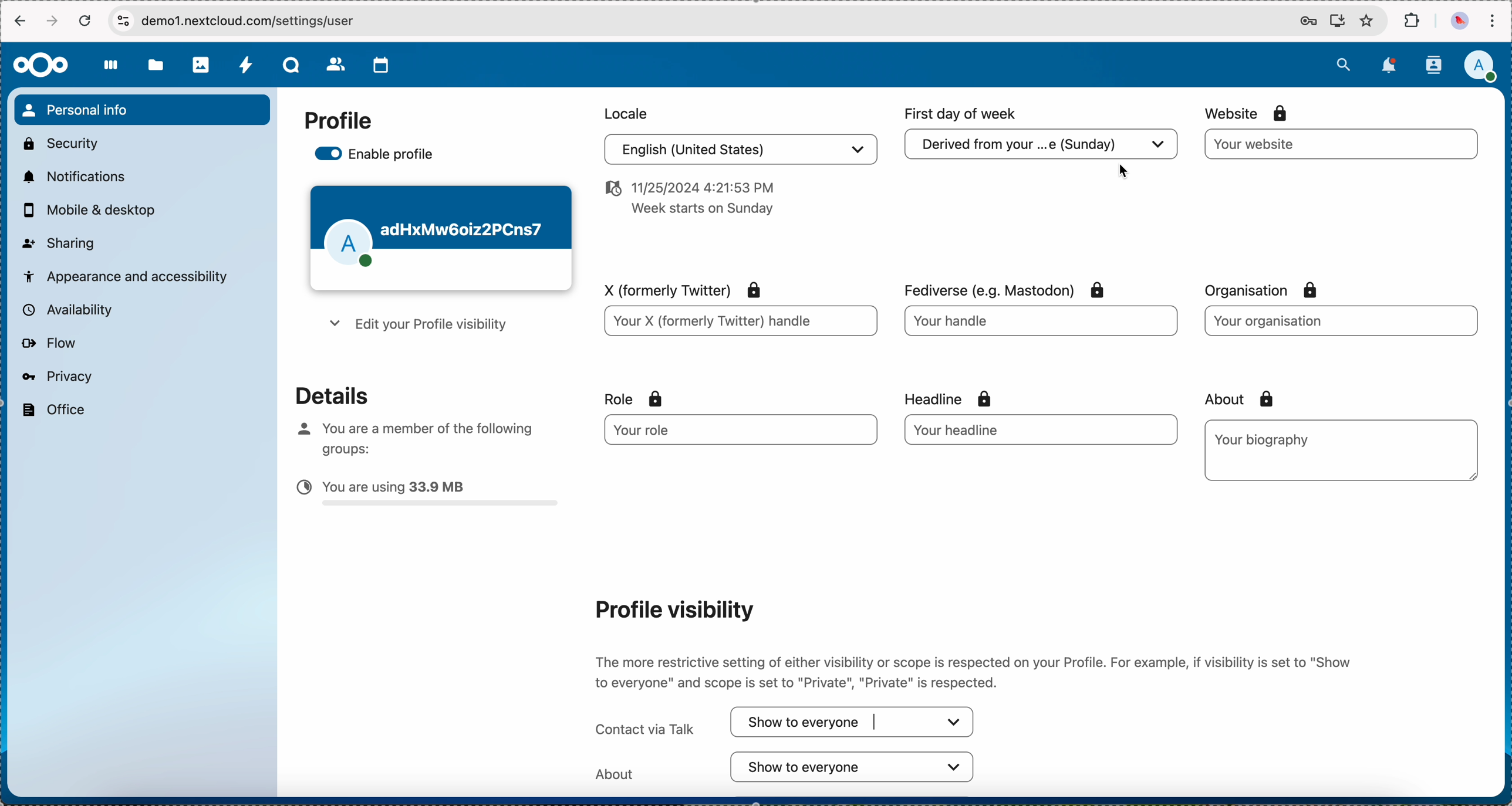  What do you see at coordinates (1433, 65) in the screenshot?
I see `contacts` at bounding box center [1433, 65].